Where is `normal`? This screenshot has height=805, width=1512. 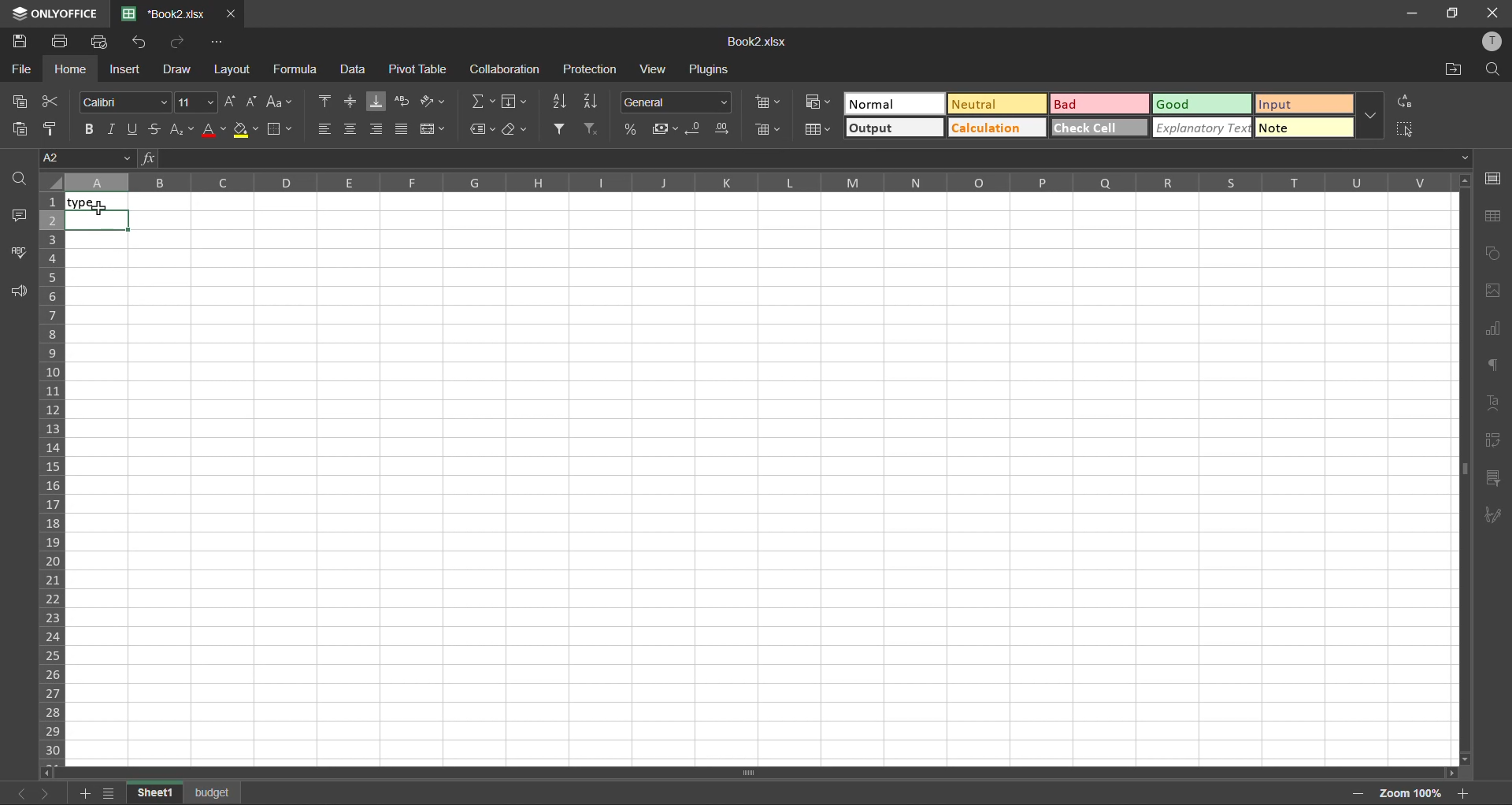 normal is located at coordinates (897, 103).